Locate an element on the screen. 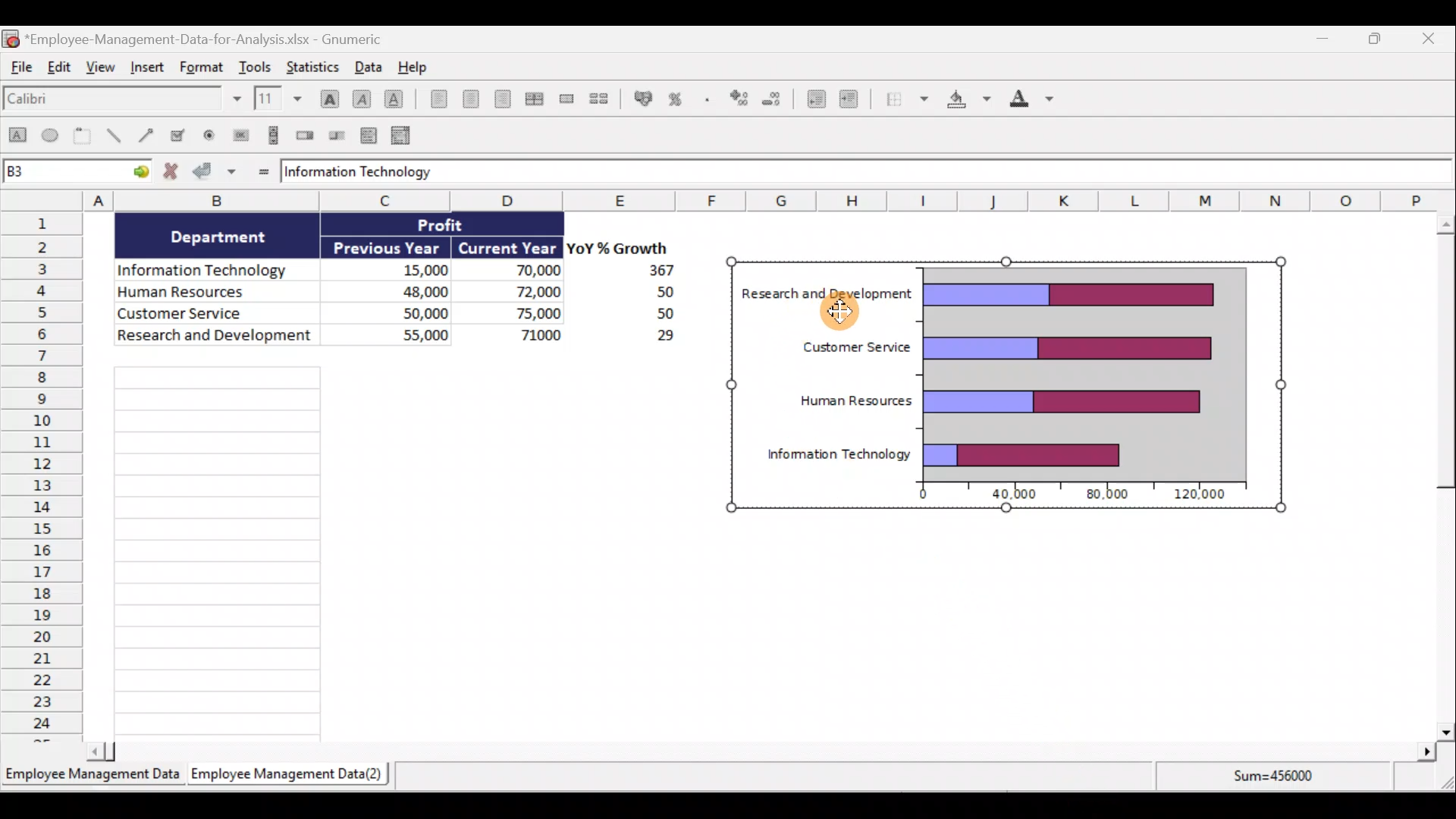 Image resolution: width=1456 pixels, height=819 pixels. Create a combo box is located at coordinates (407, 136).